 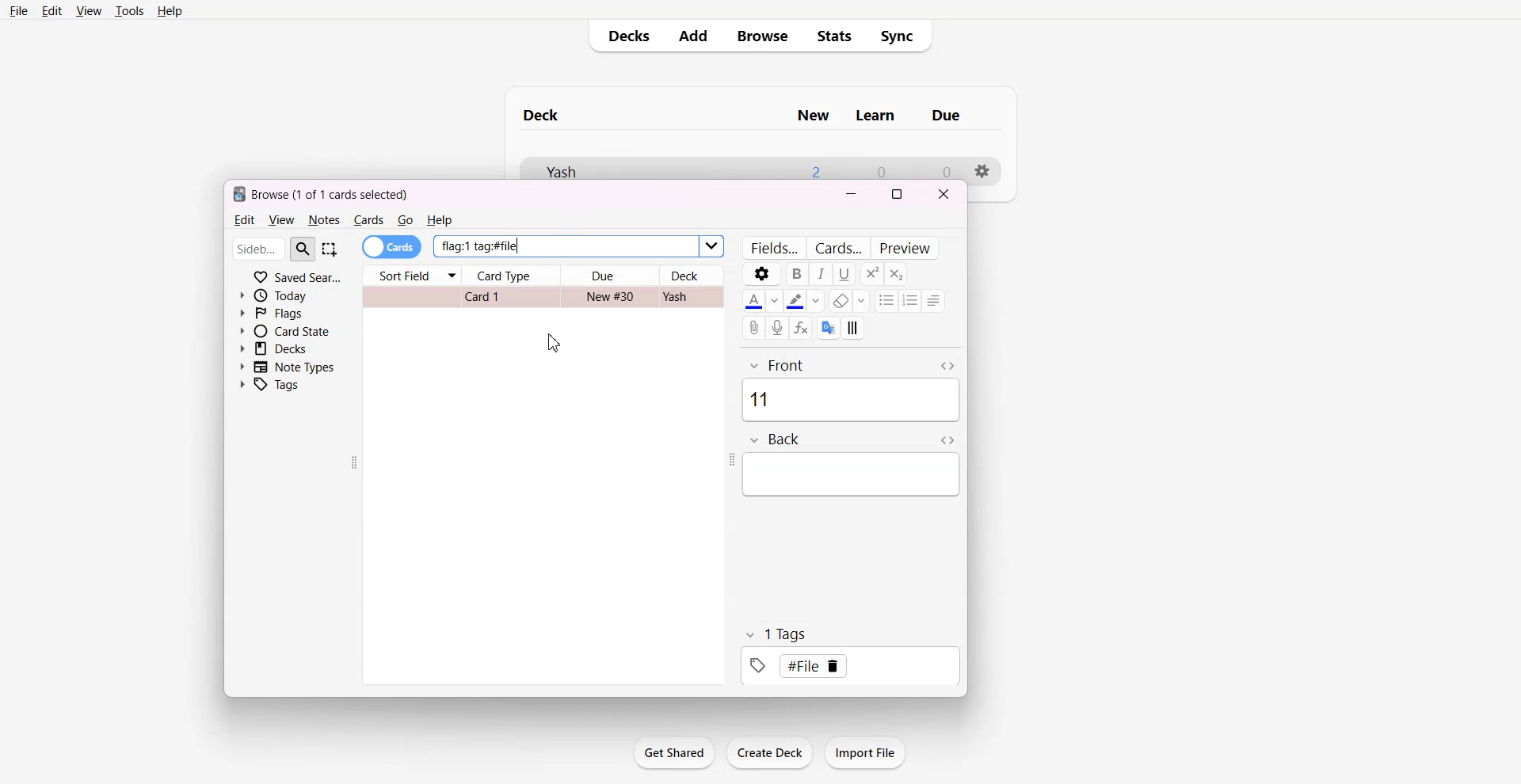 What do you see at coordinates (807, 112) in the screenshot?
I see `New` at bounding box center [807, 112].